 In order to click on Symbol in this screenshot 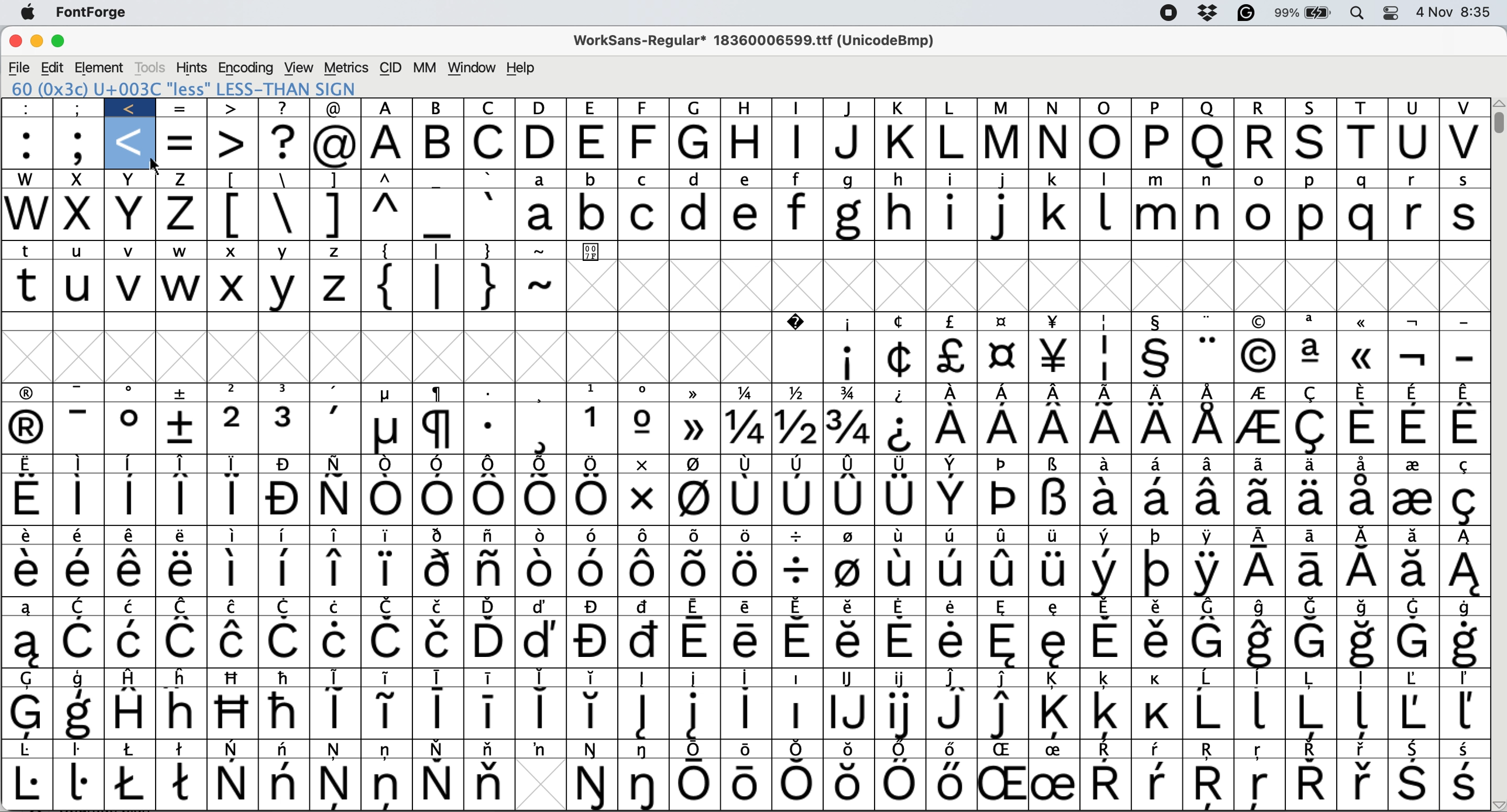, I will do `click(1159, 502)`.